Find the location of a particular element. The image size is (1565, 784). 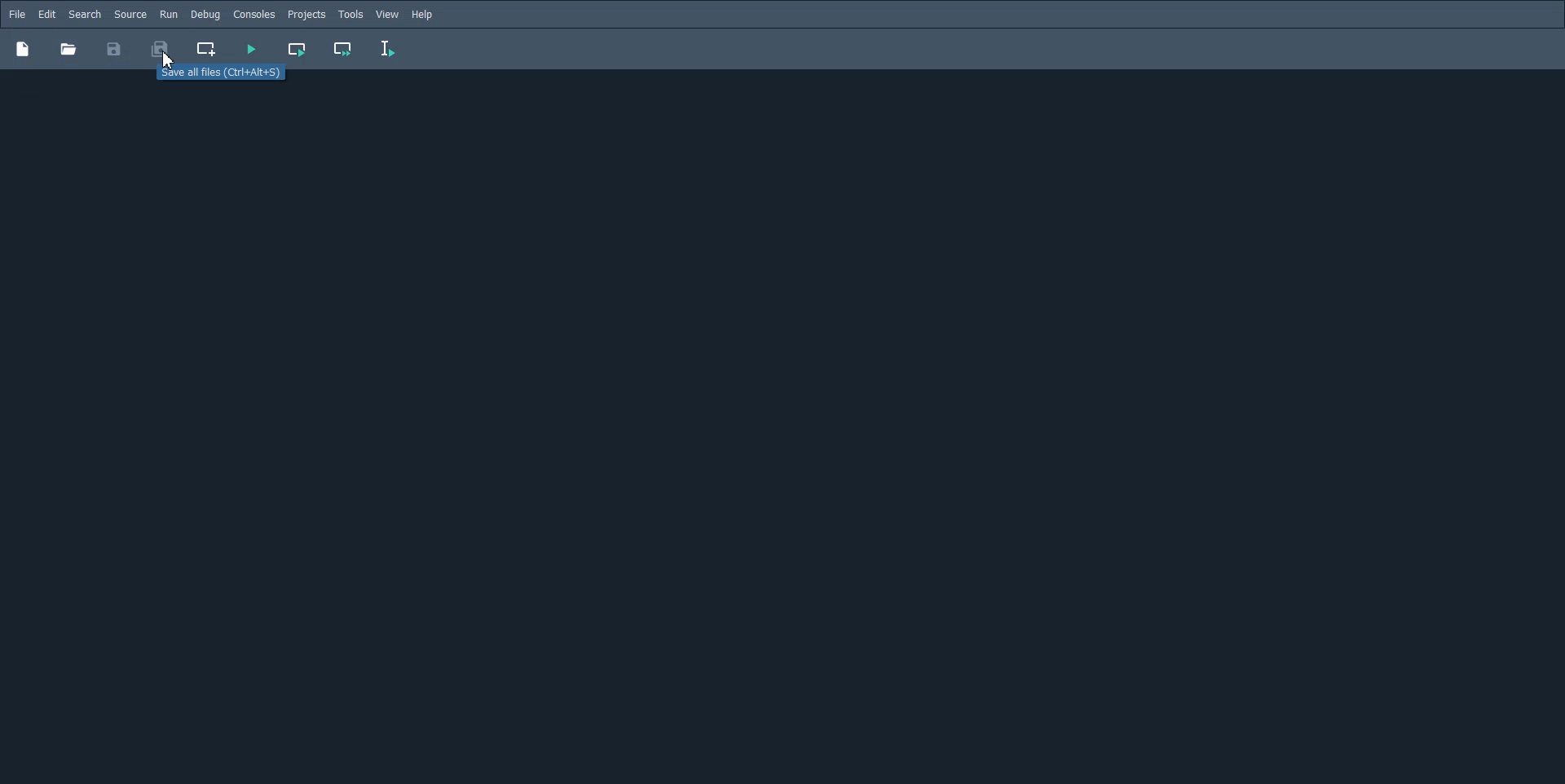

New file is located at coordinates (22, 48).